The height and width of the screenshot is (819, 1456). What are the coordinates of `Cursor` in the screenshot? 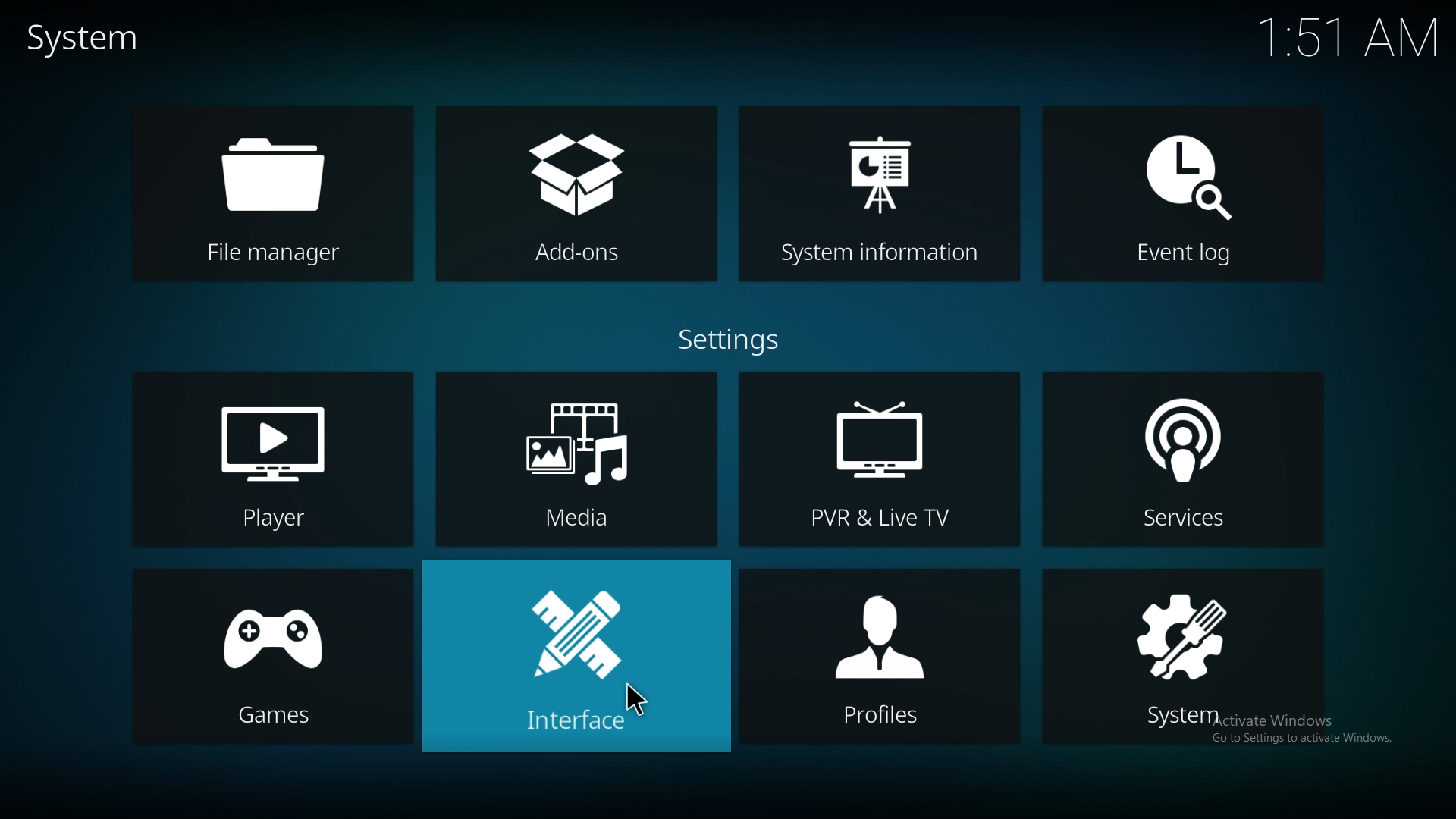 It's located at (632, 705).